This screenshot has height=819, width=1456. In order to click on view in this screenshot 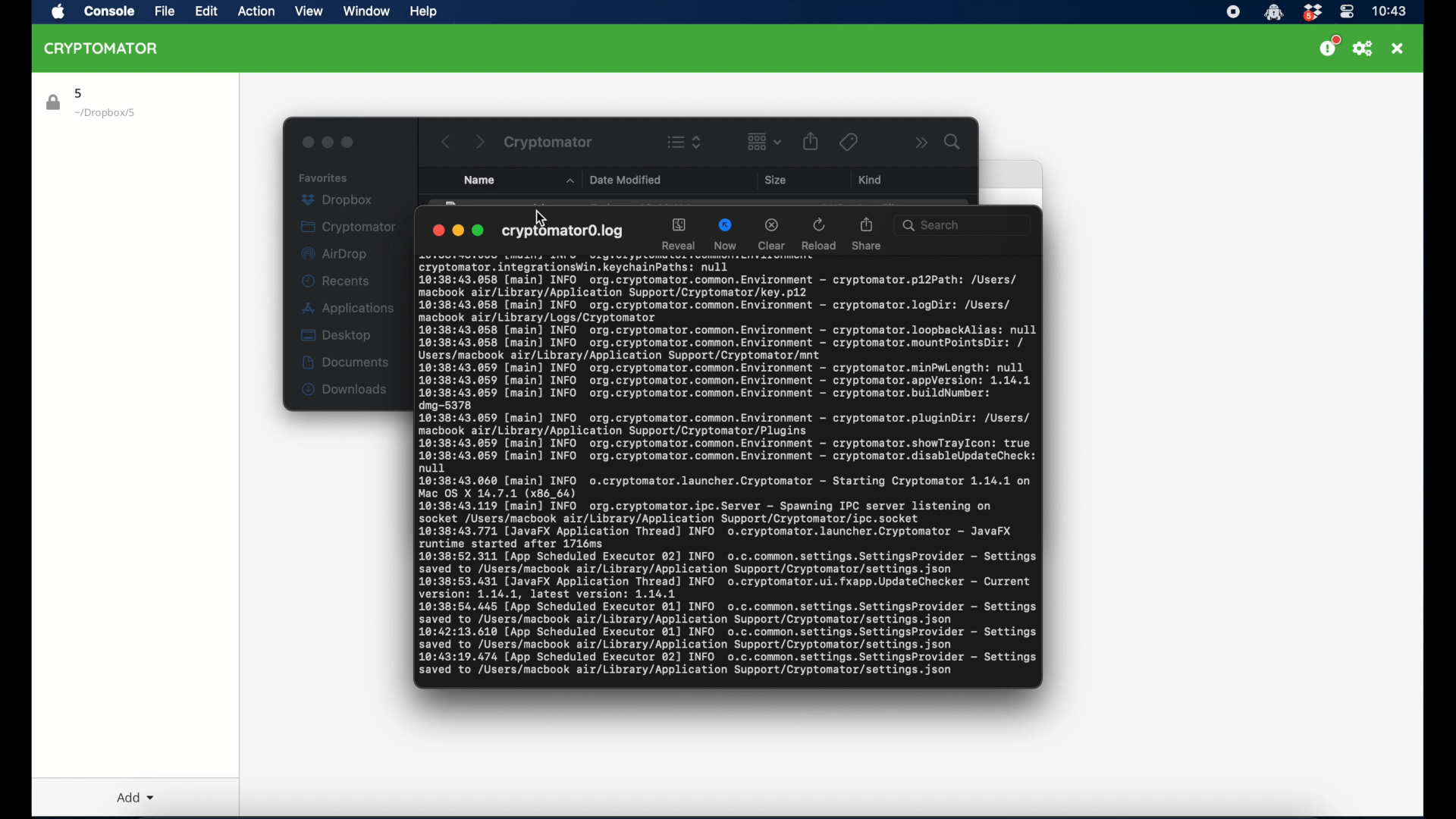, I will do `click(309, 11)`.